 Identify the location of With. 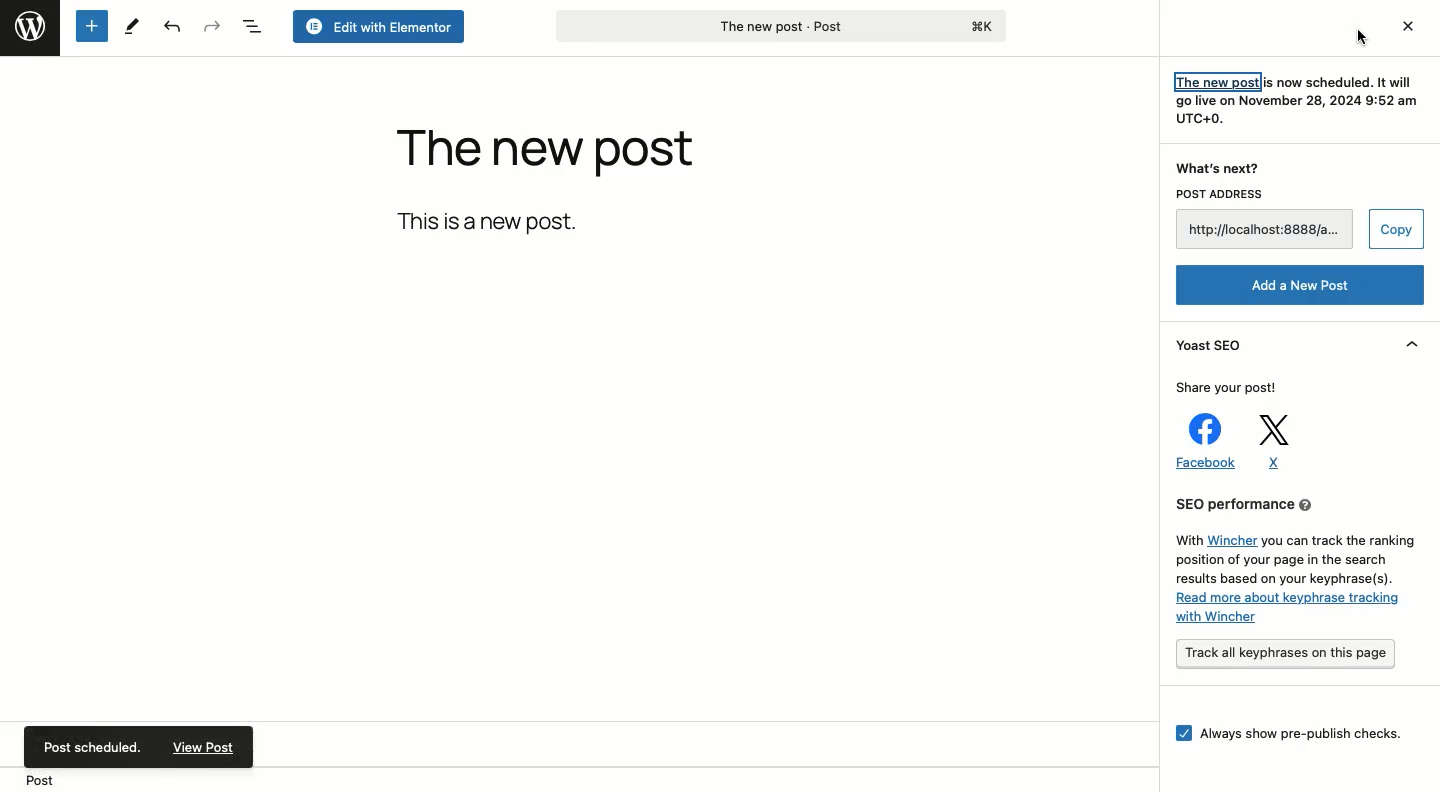
(1187, 540).